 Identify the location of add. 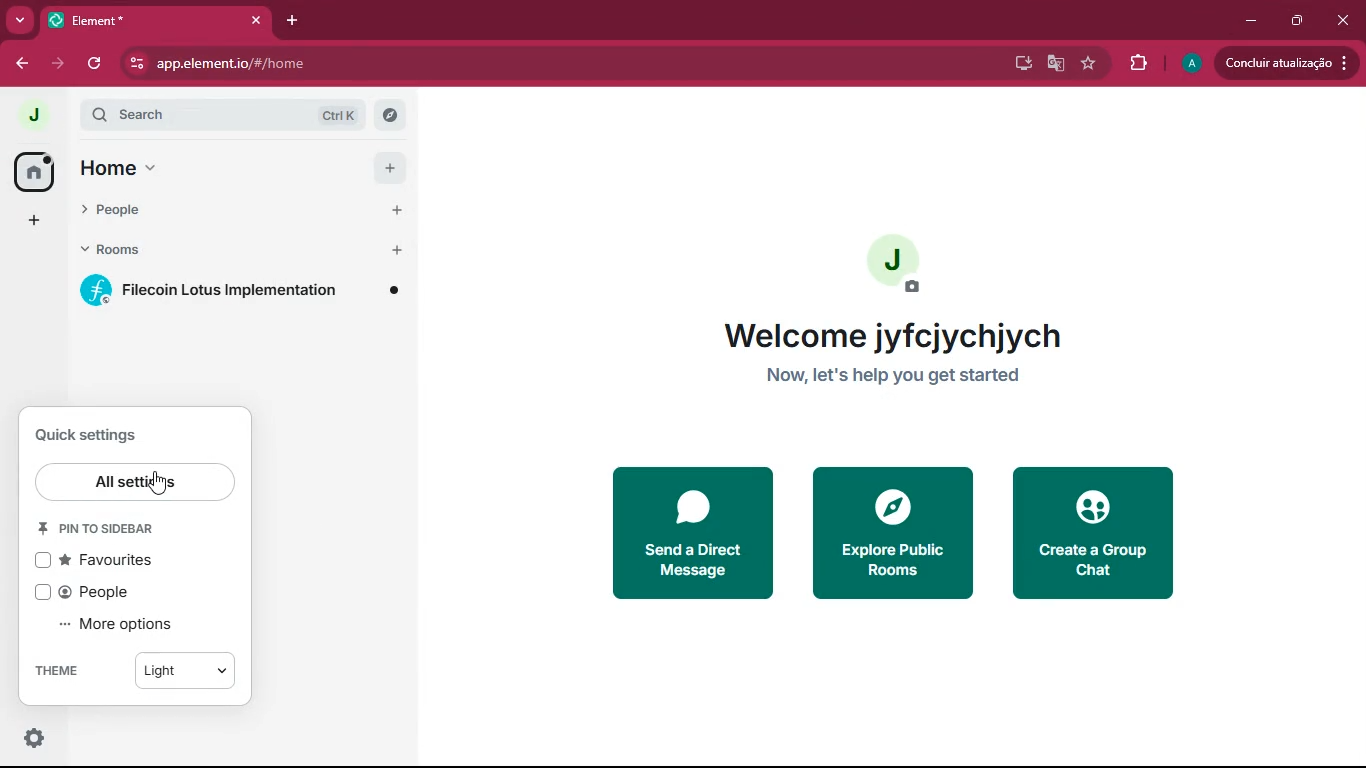
(34, 221).